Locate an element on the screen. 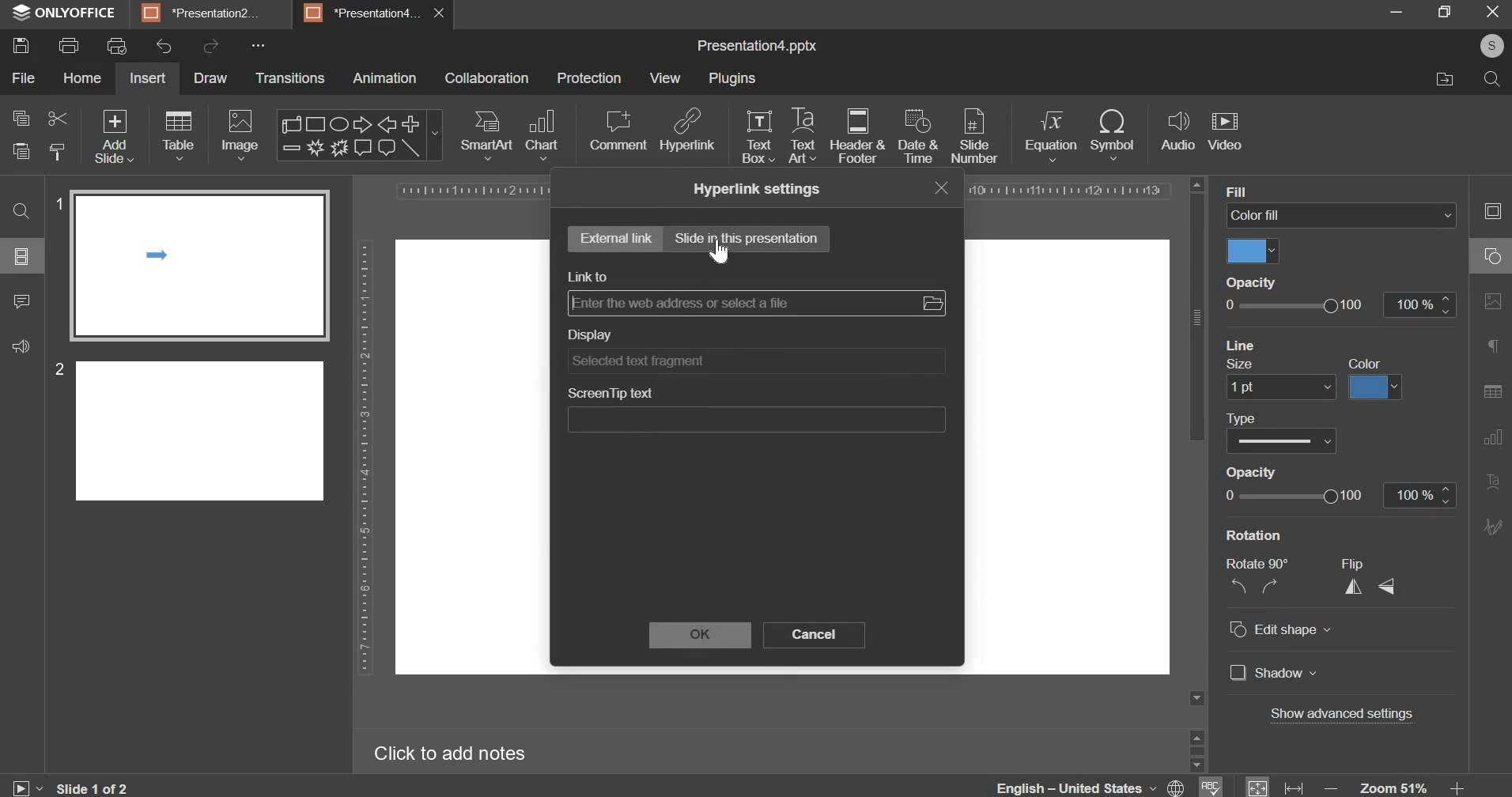  Click to add notes is located at coordinates (452, 755).